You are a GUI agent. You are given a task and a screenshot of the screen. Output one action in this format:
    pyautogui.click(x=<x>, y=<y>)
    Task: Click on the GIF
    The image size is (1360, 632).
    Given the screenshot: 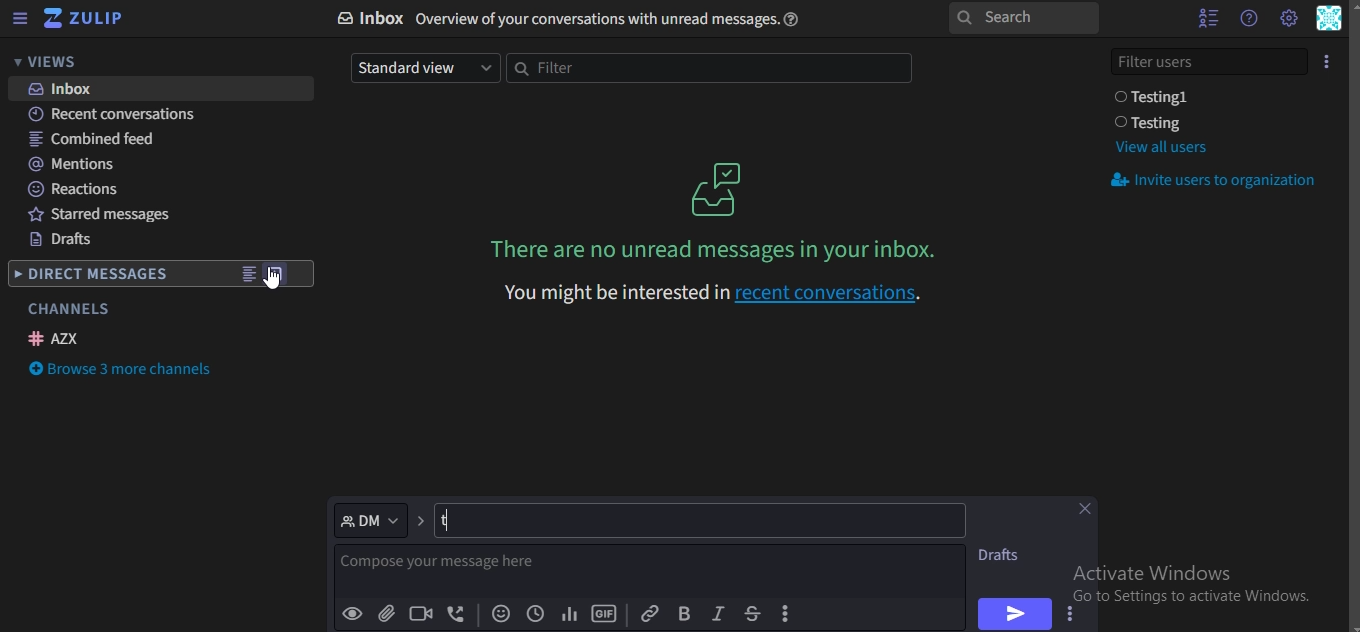 What is the action you would take?
    pyautogui.click(x=604, y=614)
    